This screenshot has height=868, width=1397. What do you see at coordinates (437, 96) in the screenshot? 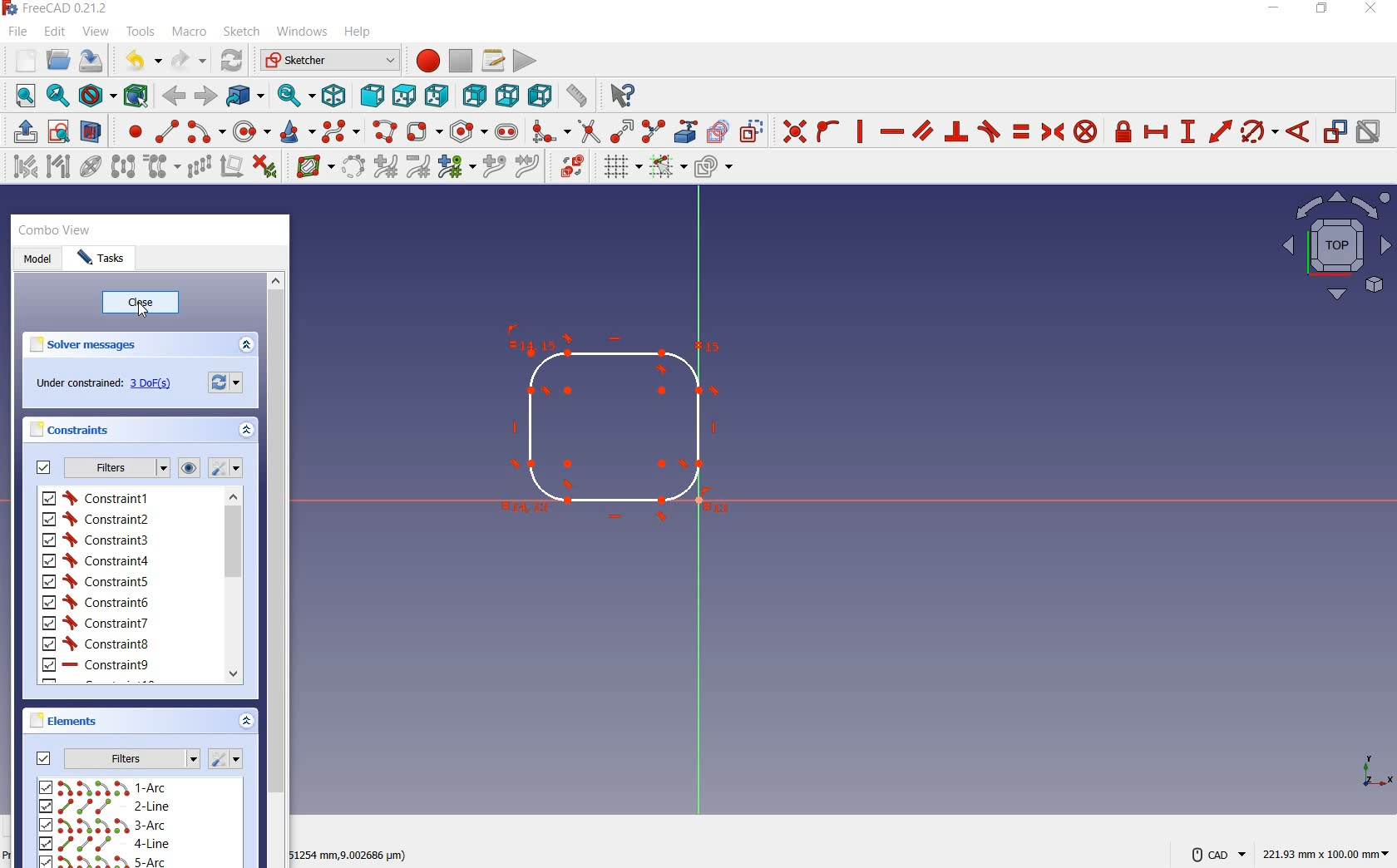
I see `right` at bounding box center [437, 96].